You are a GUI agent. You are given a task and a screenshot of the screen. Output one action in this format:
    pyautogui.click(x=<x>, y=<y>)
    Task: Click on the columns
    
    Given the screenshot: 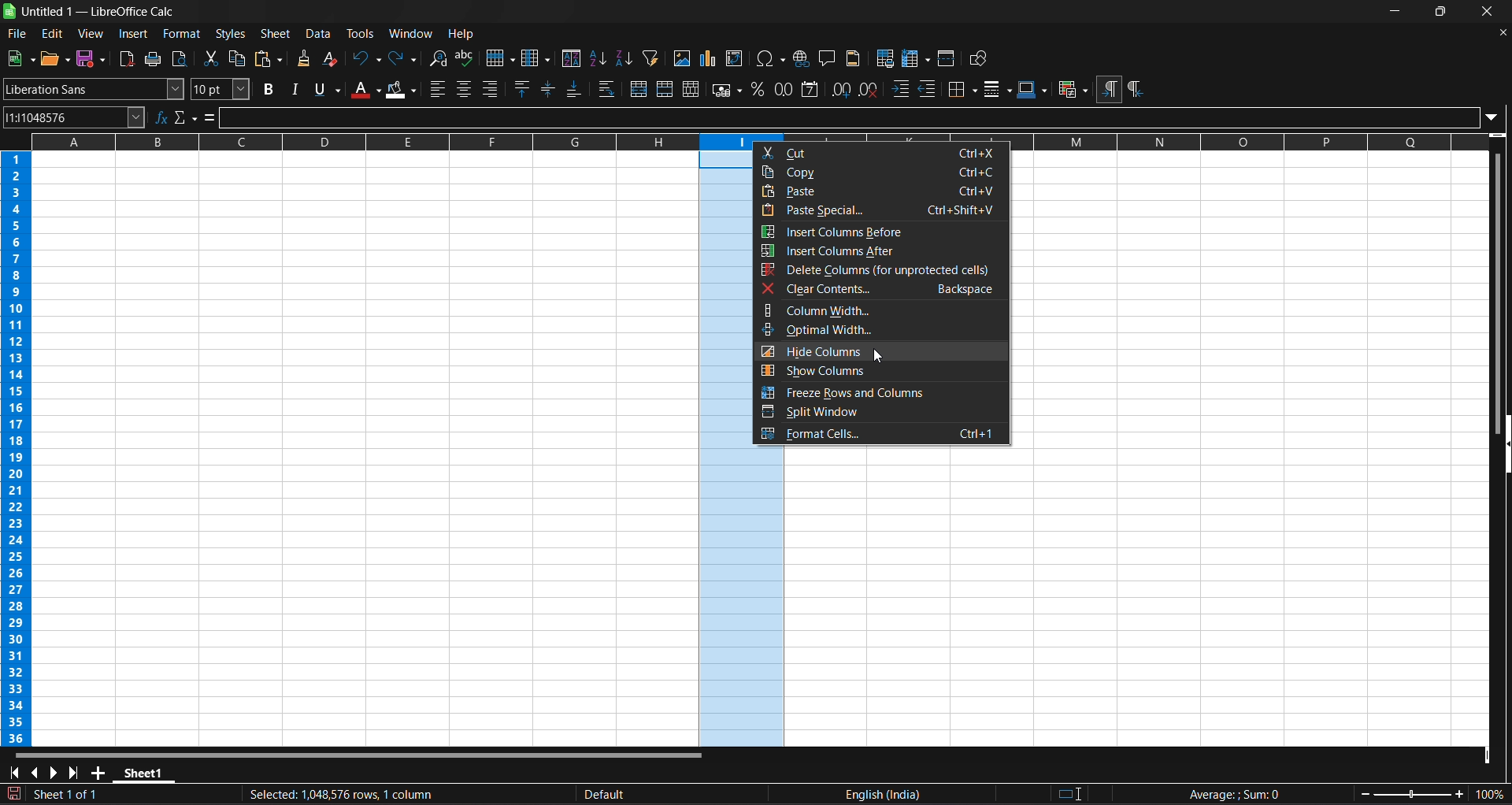 What is the action you would take?
    pyautogui.click(x=21, y=448)
    